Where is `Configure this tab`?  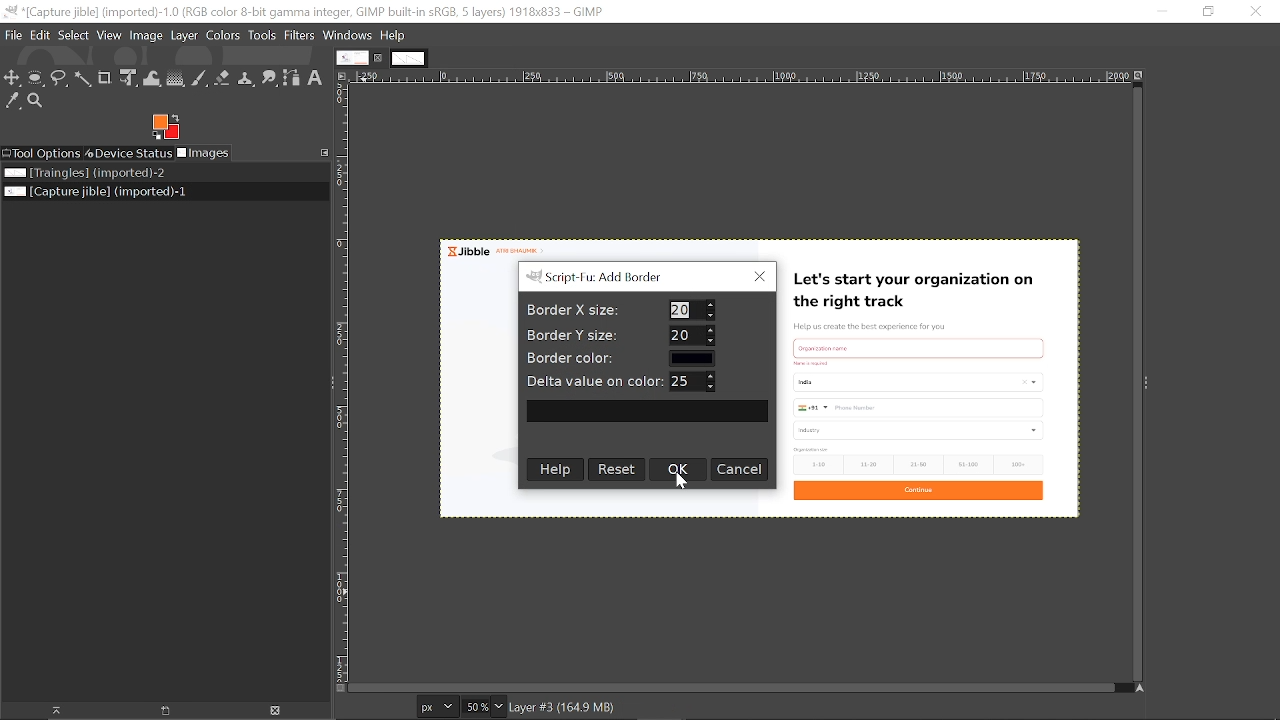
Configure this tab is located at coordinates (324, 152).